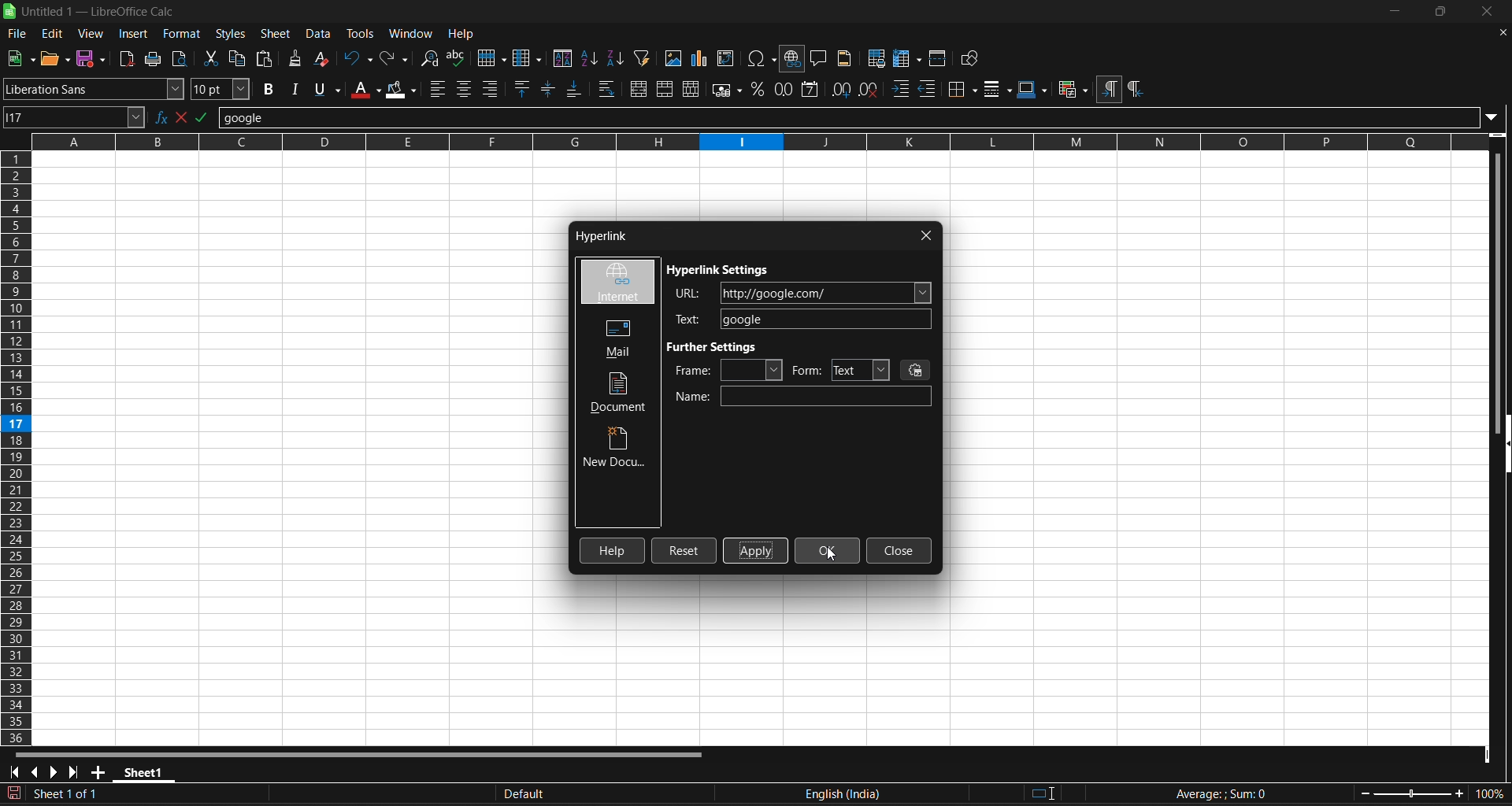  Describe the element at coordinates (250, 795) in the screenshot. I see `The document has been modified. Click to sace the document.` at that location.